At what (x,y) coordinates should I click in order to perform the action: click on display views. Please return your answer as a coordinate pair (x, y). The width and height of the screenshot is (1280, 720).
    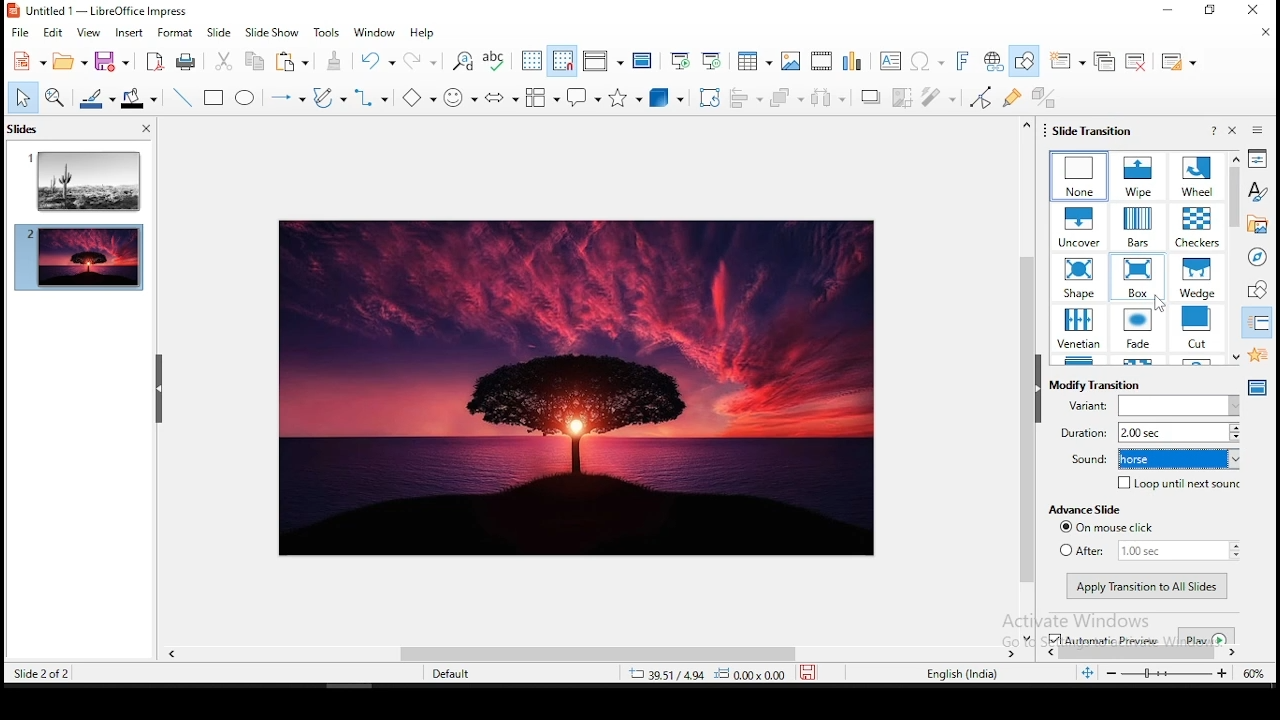
    Looking at the image, I should click on (602, 61).